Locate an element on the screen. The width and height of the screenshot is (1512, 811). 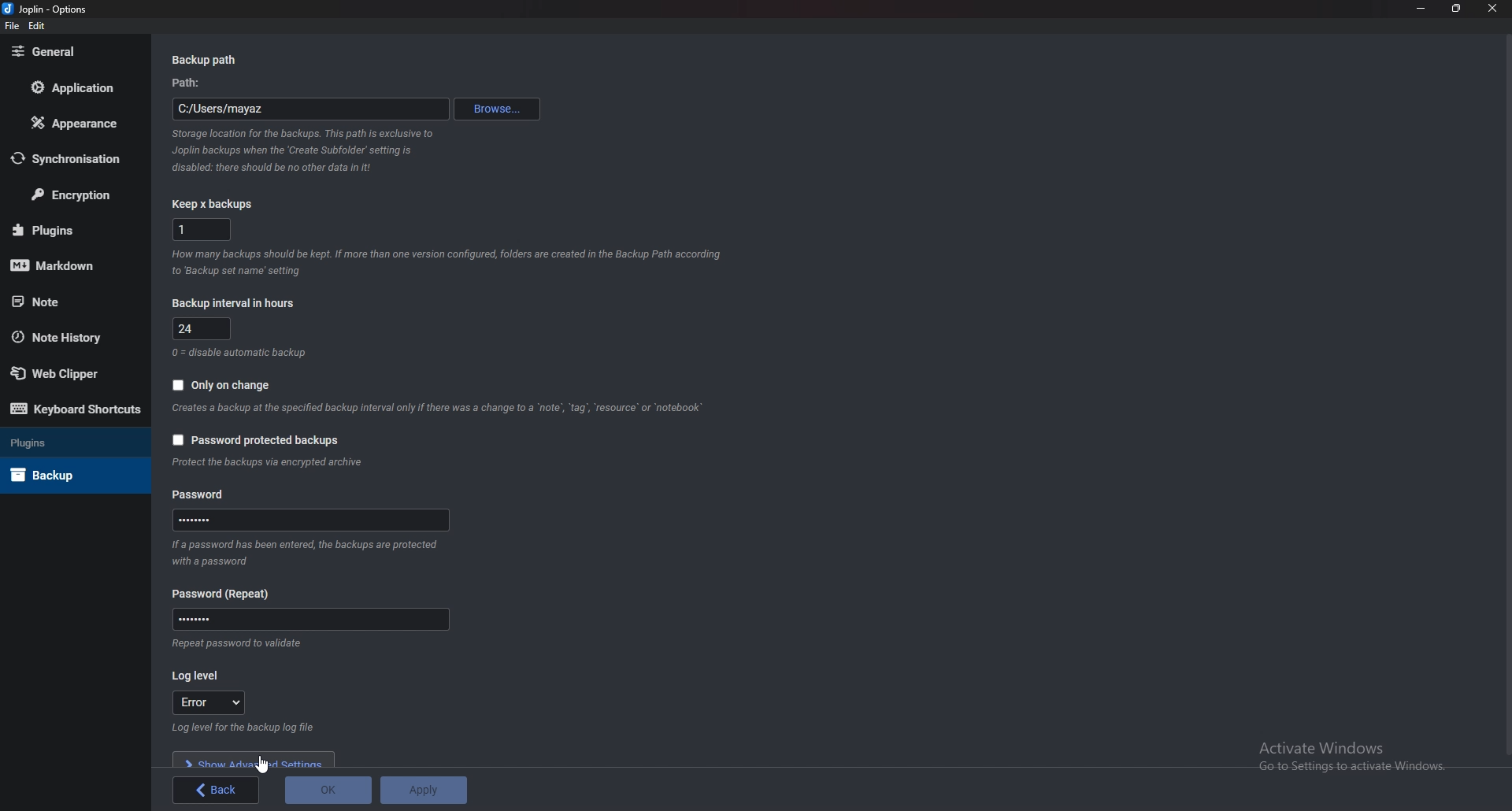
file is located at coordinates (13, 26).